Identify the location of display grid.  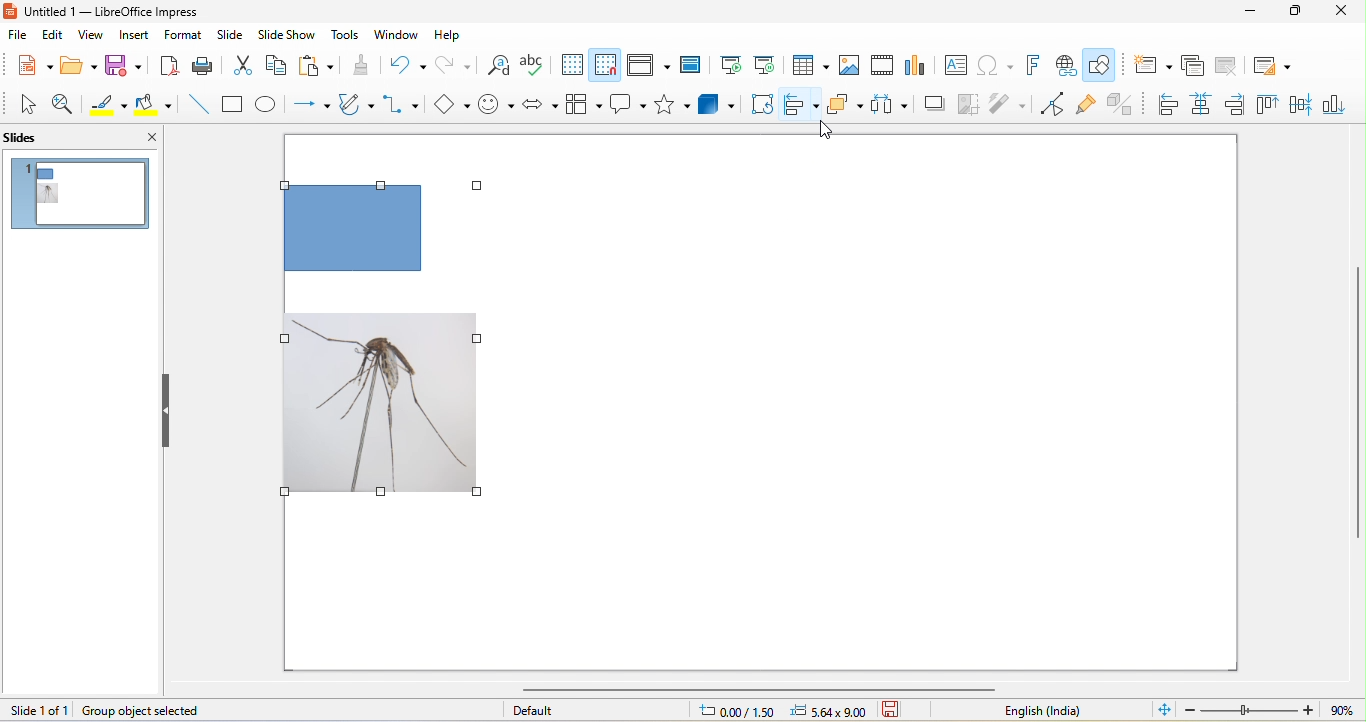
(572, 64).